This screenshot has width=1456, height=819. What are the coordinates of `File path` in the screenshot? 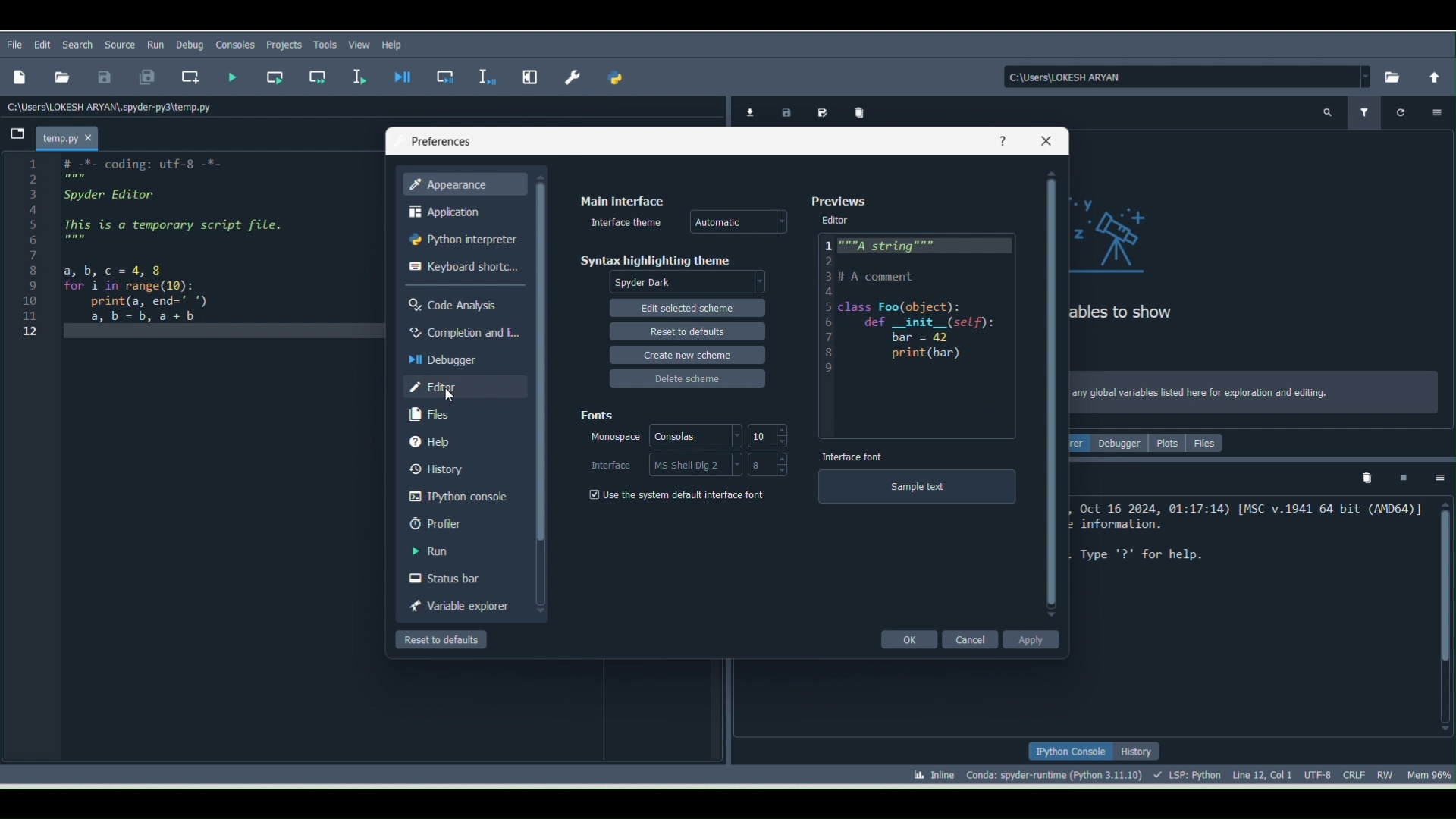 It's located at (114, 106).